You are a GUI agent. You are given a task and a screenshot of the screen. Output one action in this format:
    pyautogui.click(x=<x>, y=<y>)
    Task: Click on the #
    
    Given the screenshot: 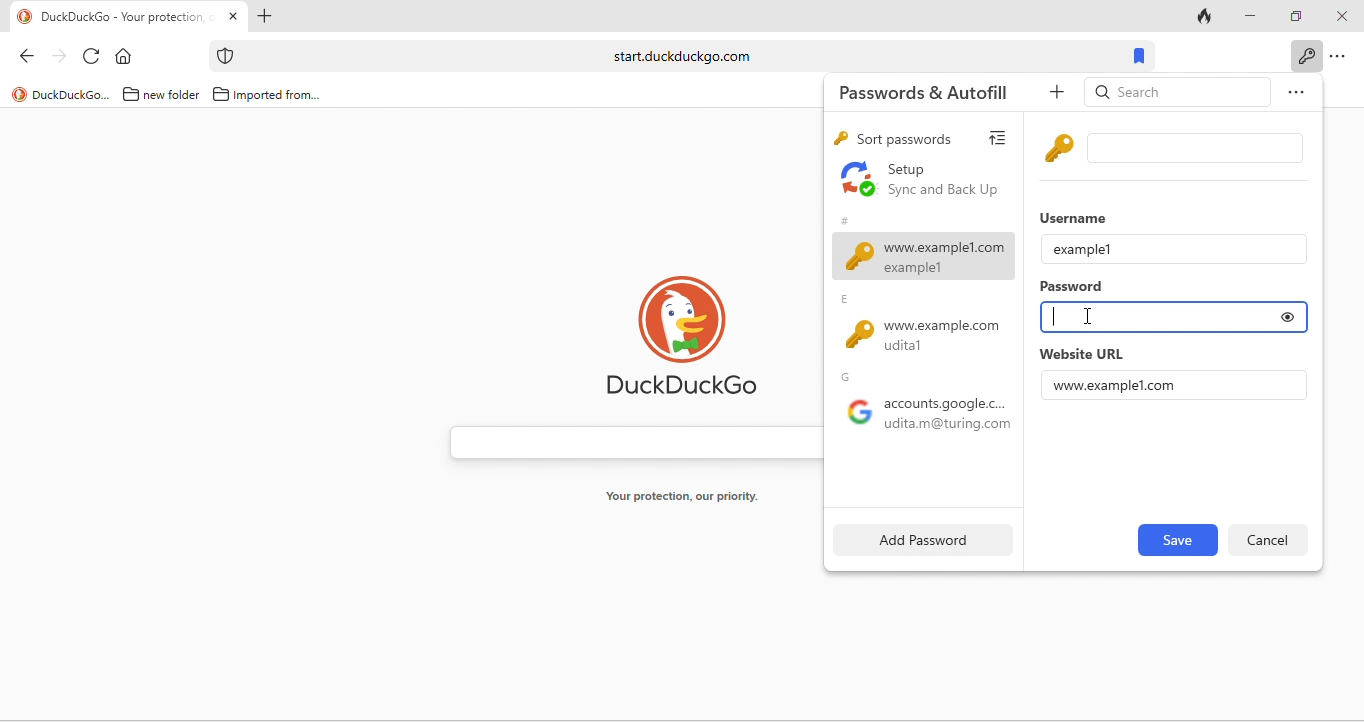 What is the action you would take?
    pyautogui.click(x=844, y=218)
    